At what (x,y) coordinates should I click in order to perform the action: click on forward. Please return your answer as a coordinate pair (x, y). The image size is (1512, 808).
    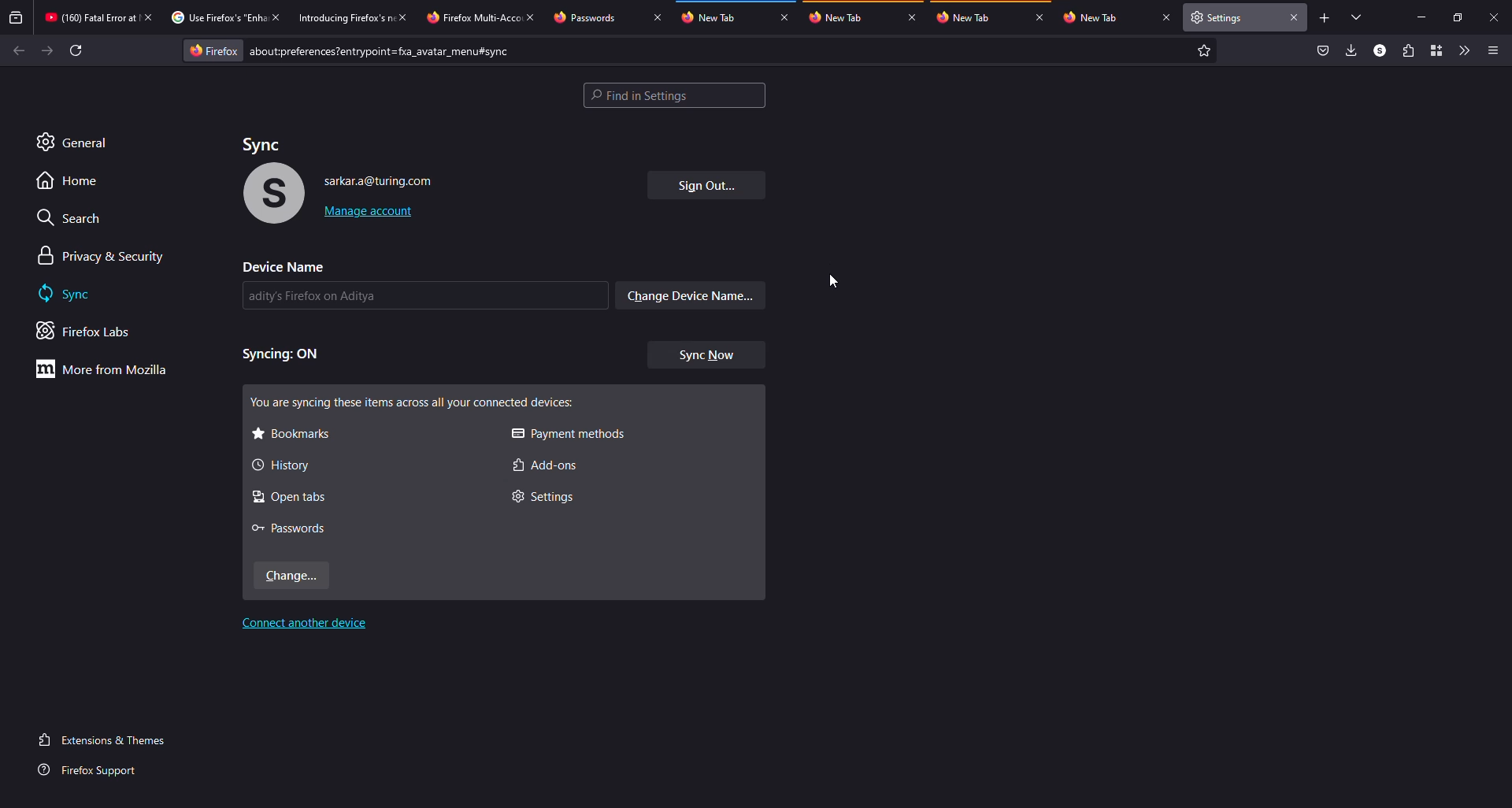
    Looking at the image, I should click on (50, 50).